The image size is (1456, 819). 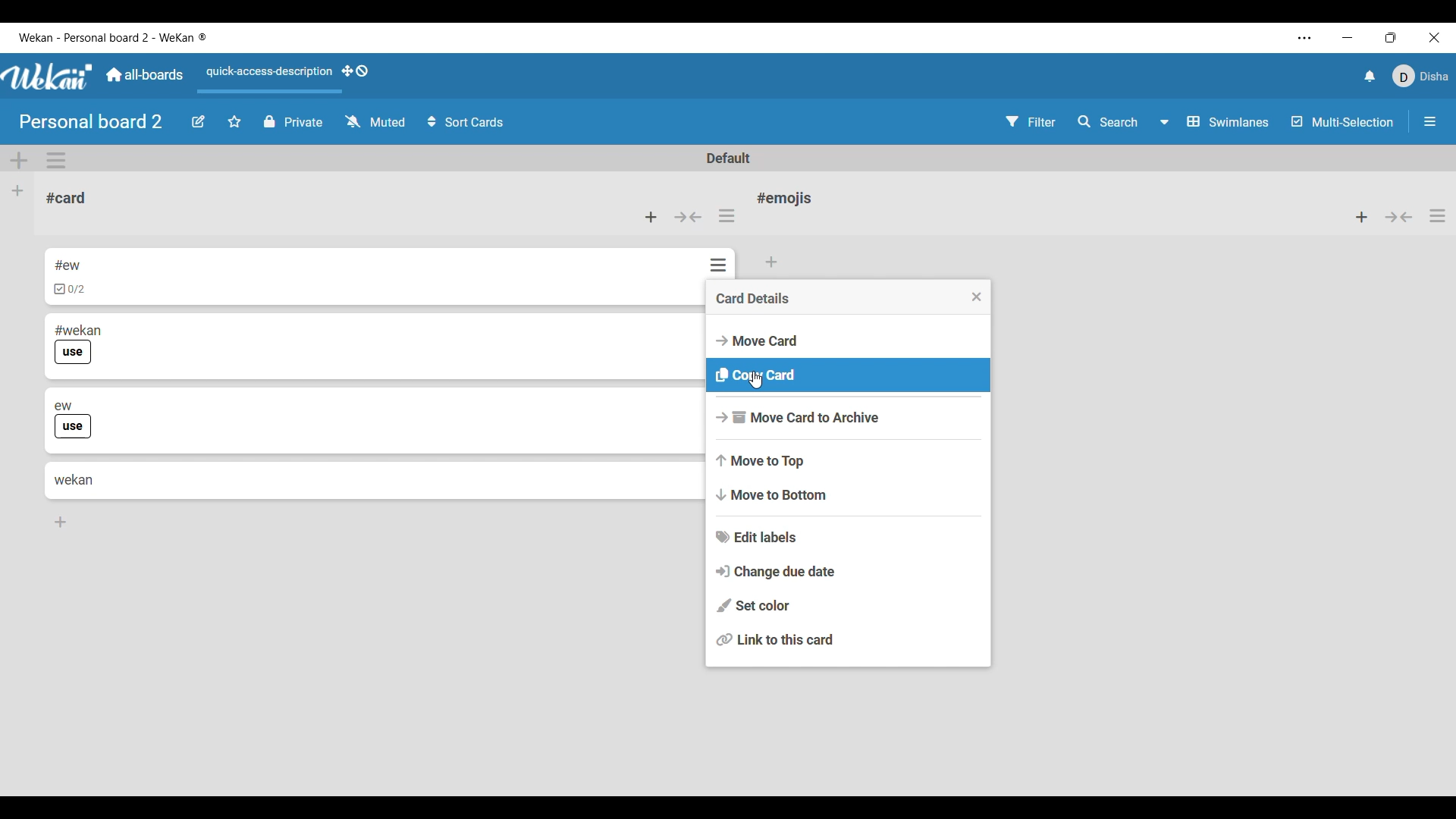 What do you see at coordinates (849, 537) in the screenshot?
I see `Edit labels` at bounding box center [849, 537].